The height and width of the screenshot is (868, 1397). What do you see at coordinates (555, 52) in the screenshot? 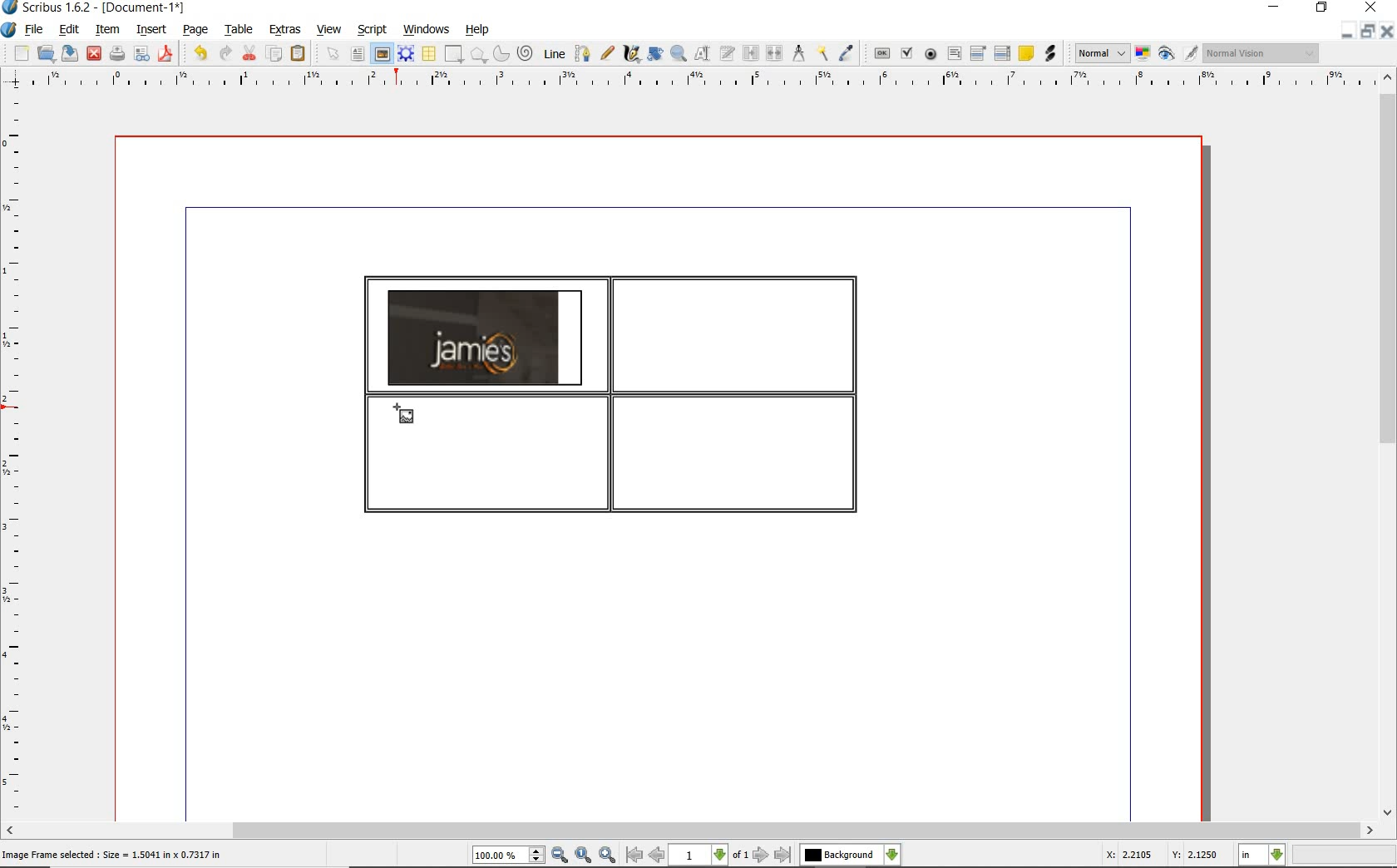
I see `line` at bounding box center [555, 52].